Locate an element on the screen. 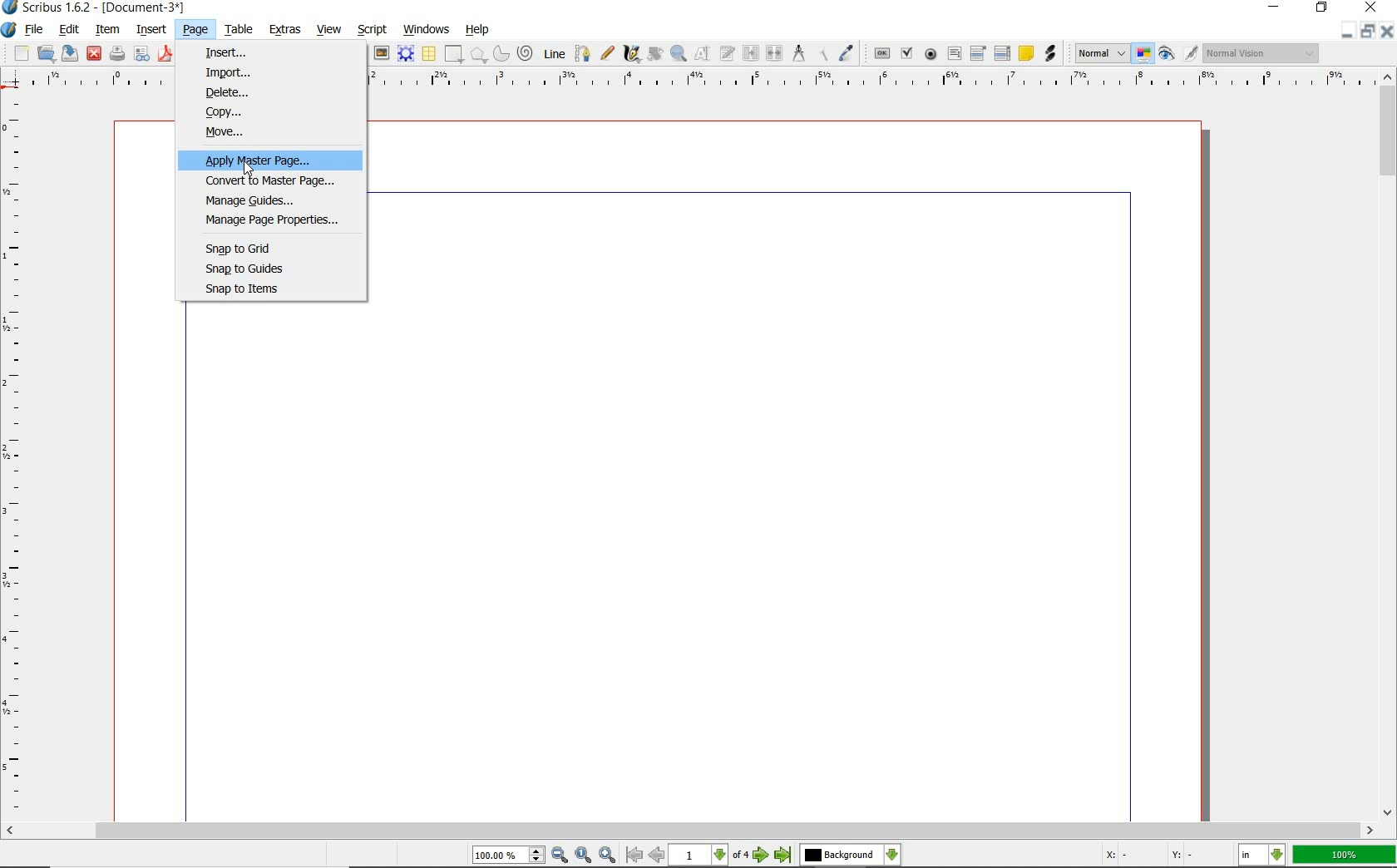 Image resolution: width=1397 pixels, height=868 pixels. item is located at coordinates (106, 30).